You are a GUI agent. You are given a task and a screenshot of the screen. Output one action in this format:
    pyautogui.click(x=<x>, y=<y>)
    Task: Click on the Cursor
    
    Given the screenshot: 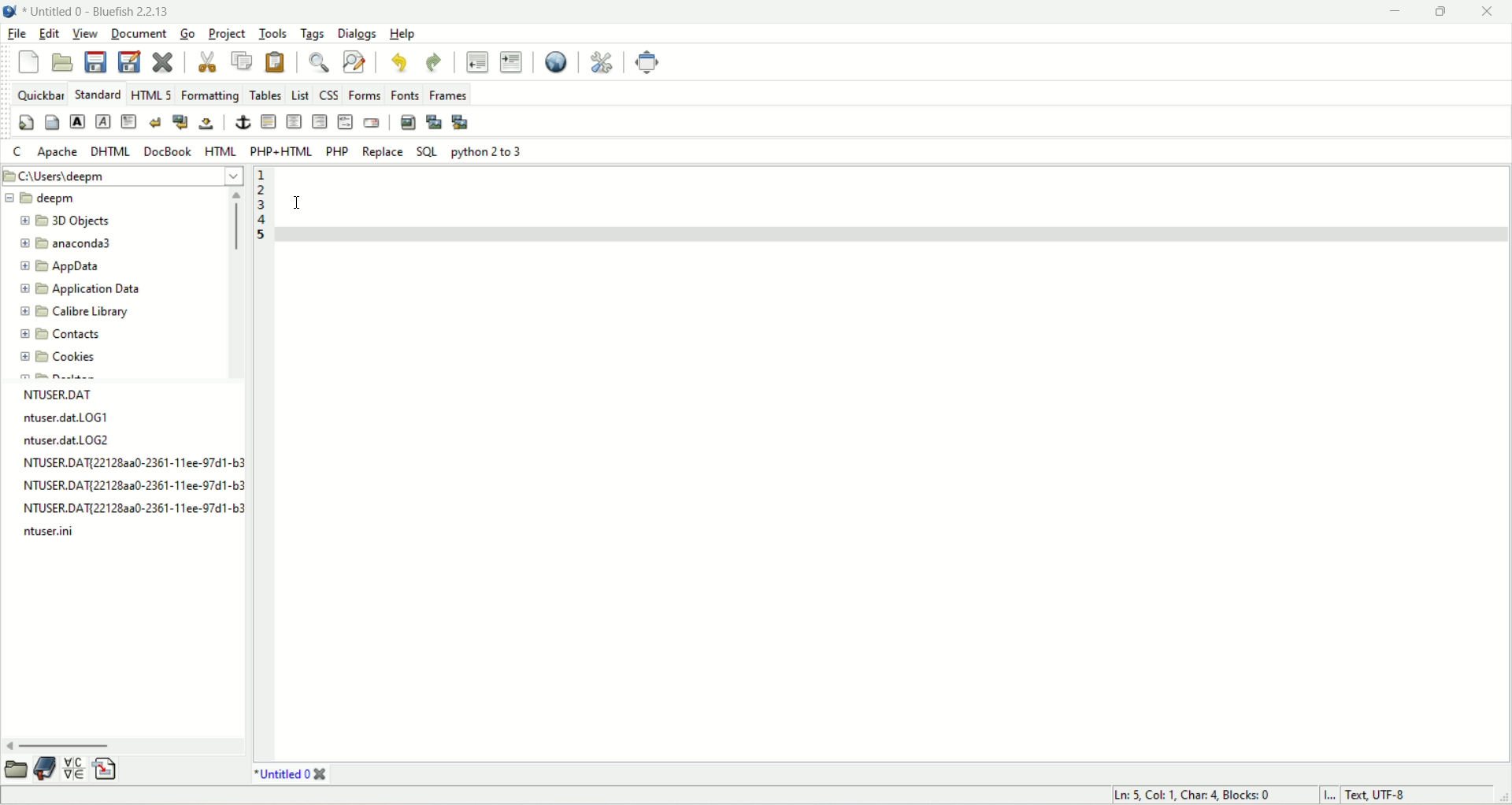 What is the action you would take?
    pyautogui.click(x=297, y=202)
    